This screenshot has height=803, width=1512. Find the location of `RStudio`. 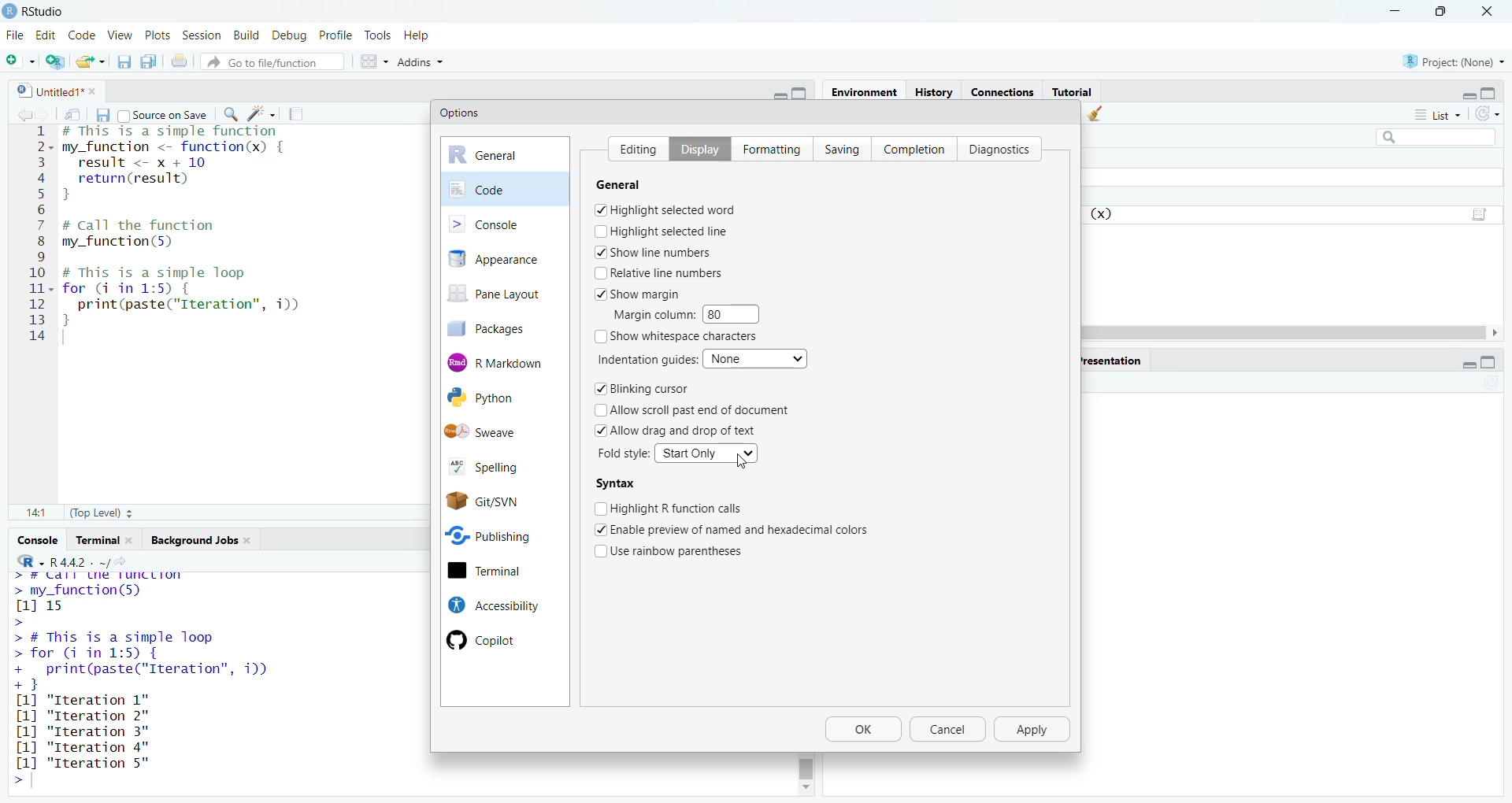

RStudio is located at coordinates (51, 9).